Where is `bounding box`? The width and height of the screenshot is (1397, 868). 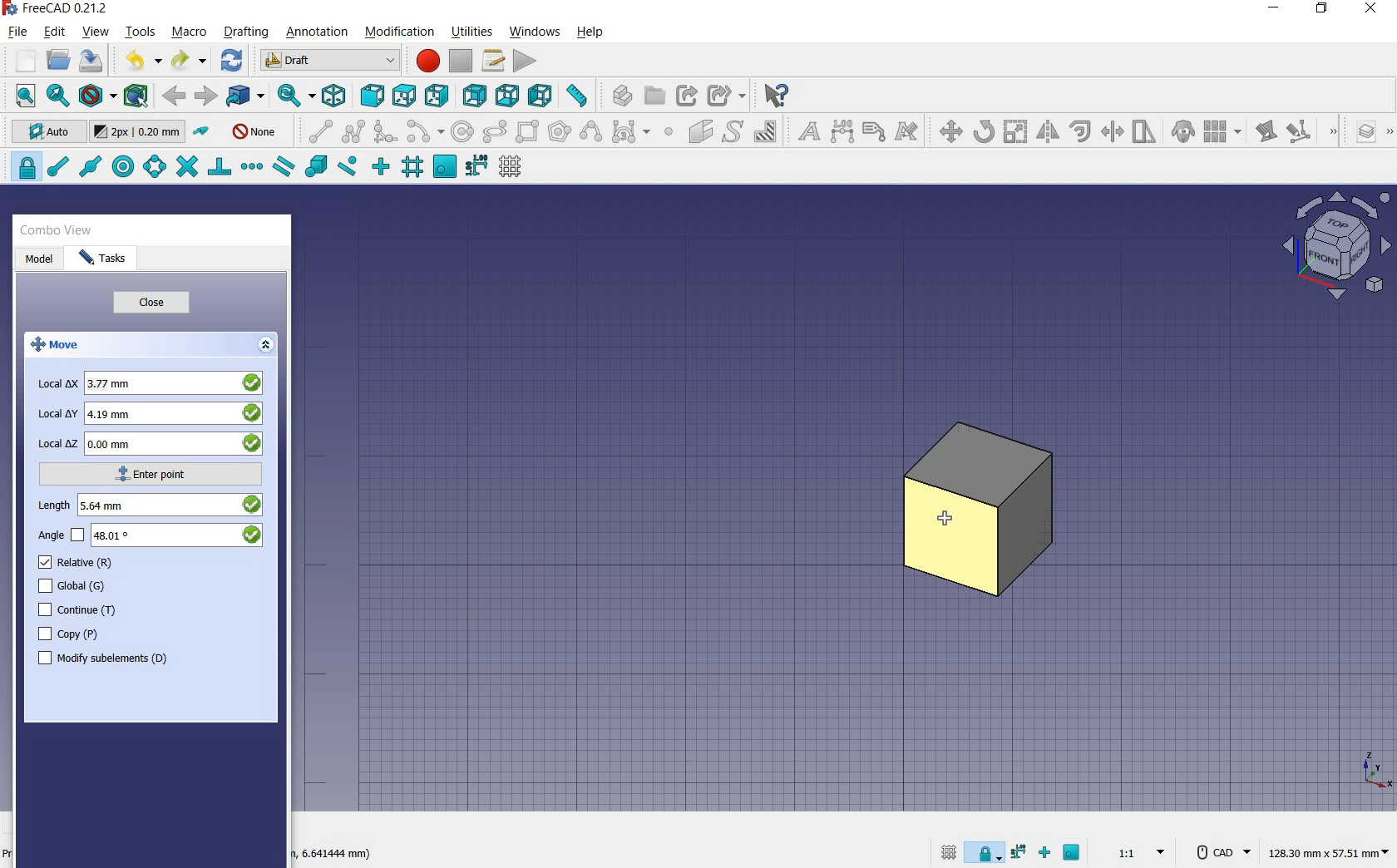
bounding box is located at coordinates (136, 96).